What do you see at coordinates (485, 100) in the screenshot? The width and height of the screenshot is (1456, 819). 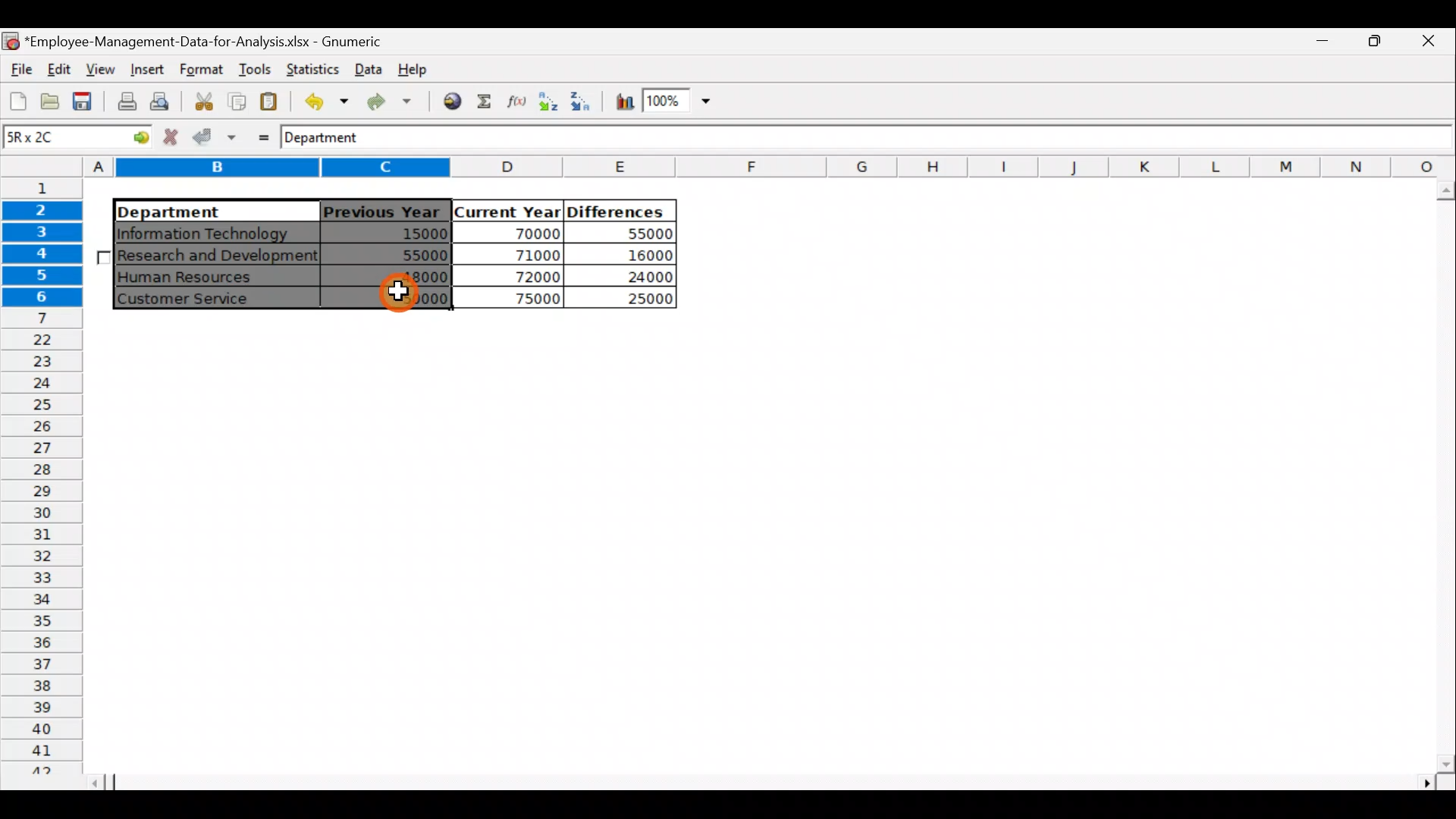 I see `Sum into the current cell` at bounding box center [485, 100].